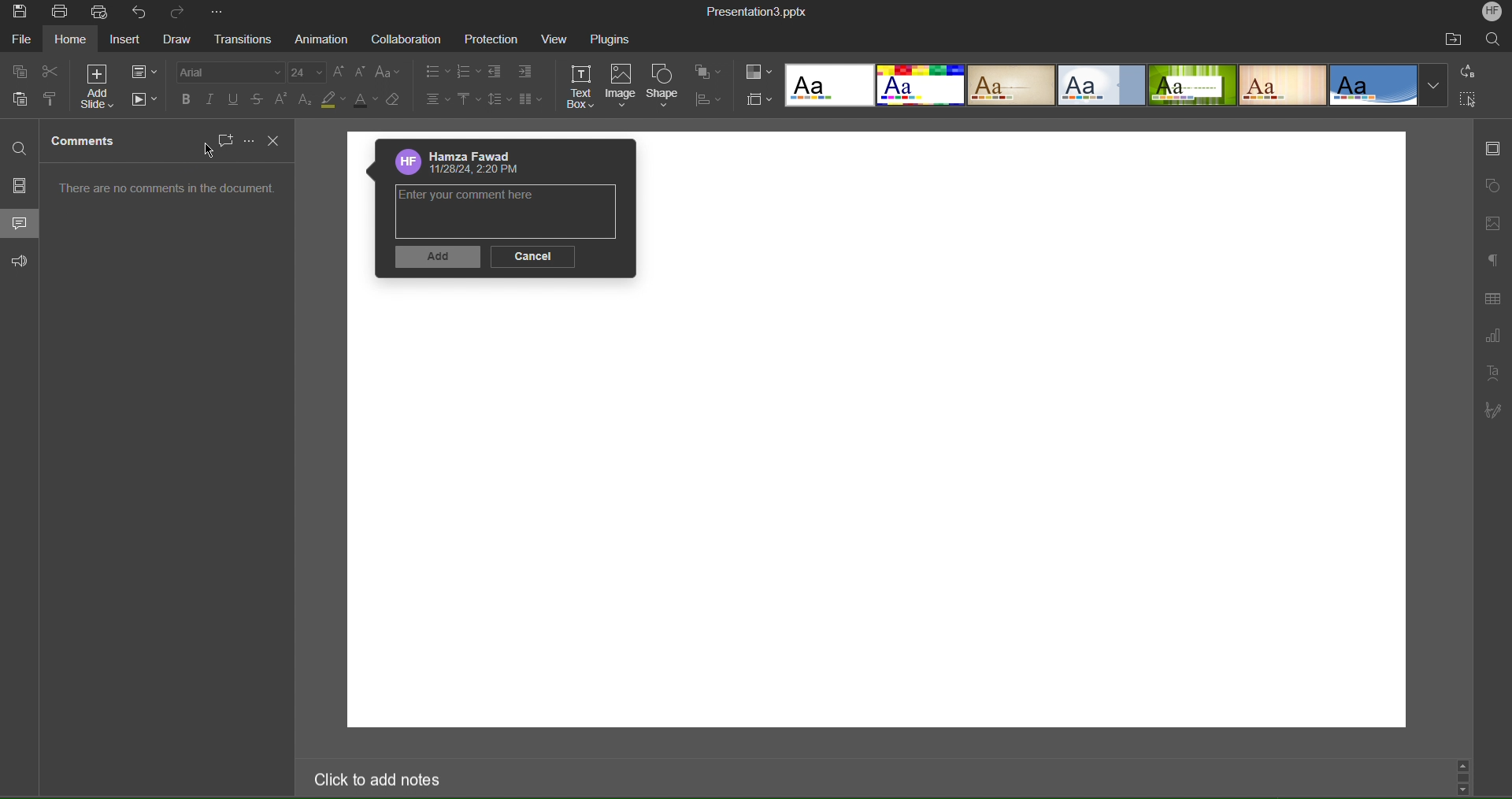 The height and width of the screenshot is (799, 1512). What do you see at coordinates (22, 262) in the screenshot?
I see `Feedback and Support` at bounding box center [22, 262].